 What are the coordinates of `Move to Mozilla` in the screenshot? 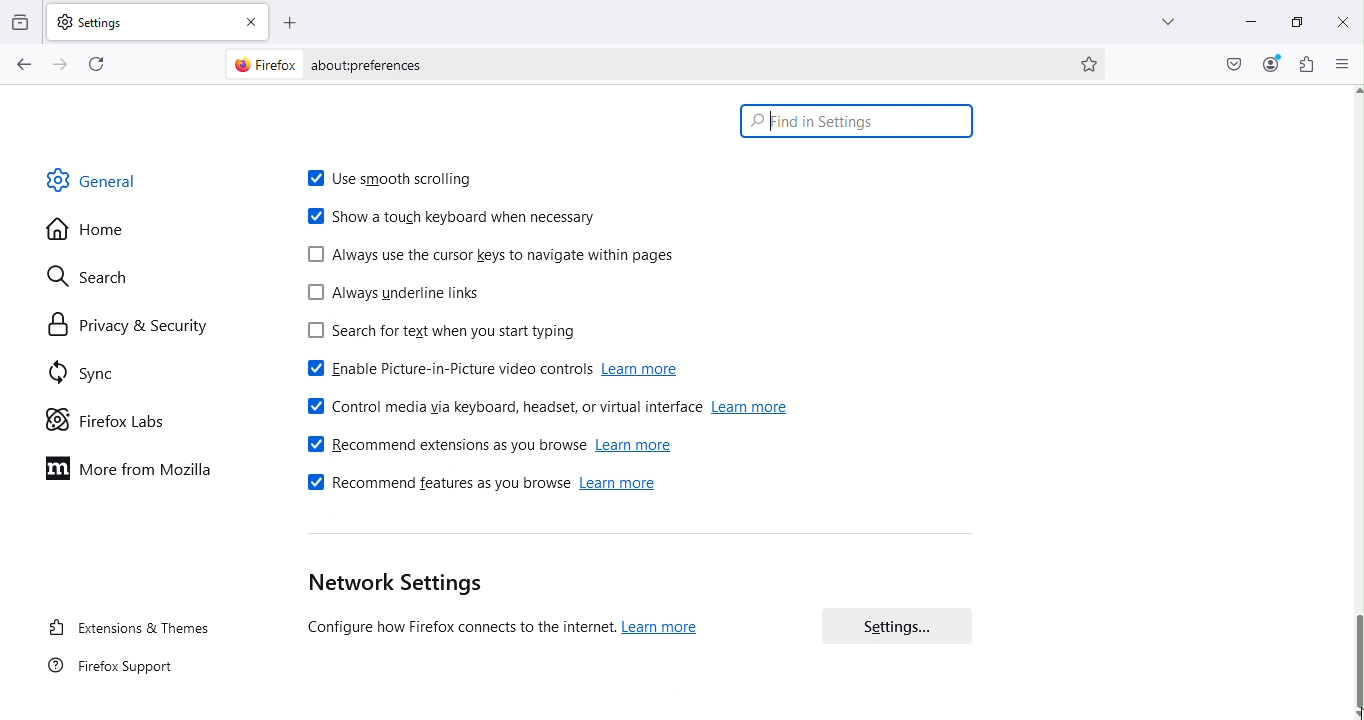 It's located at (134, 467).